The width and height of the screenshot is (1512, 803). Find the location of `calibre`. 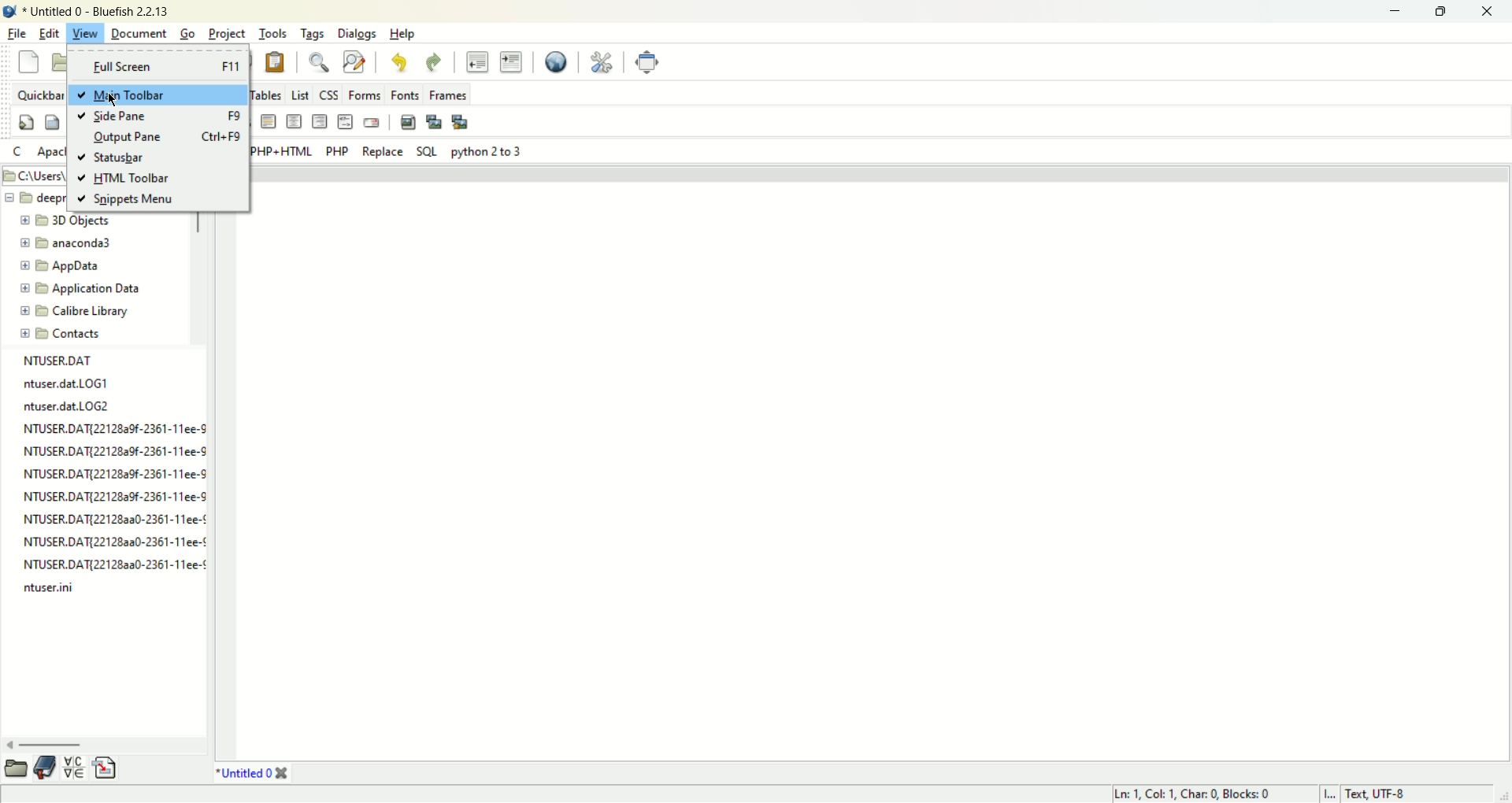

calibre is located at coordinates (76, 313).